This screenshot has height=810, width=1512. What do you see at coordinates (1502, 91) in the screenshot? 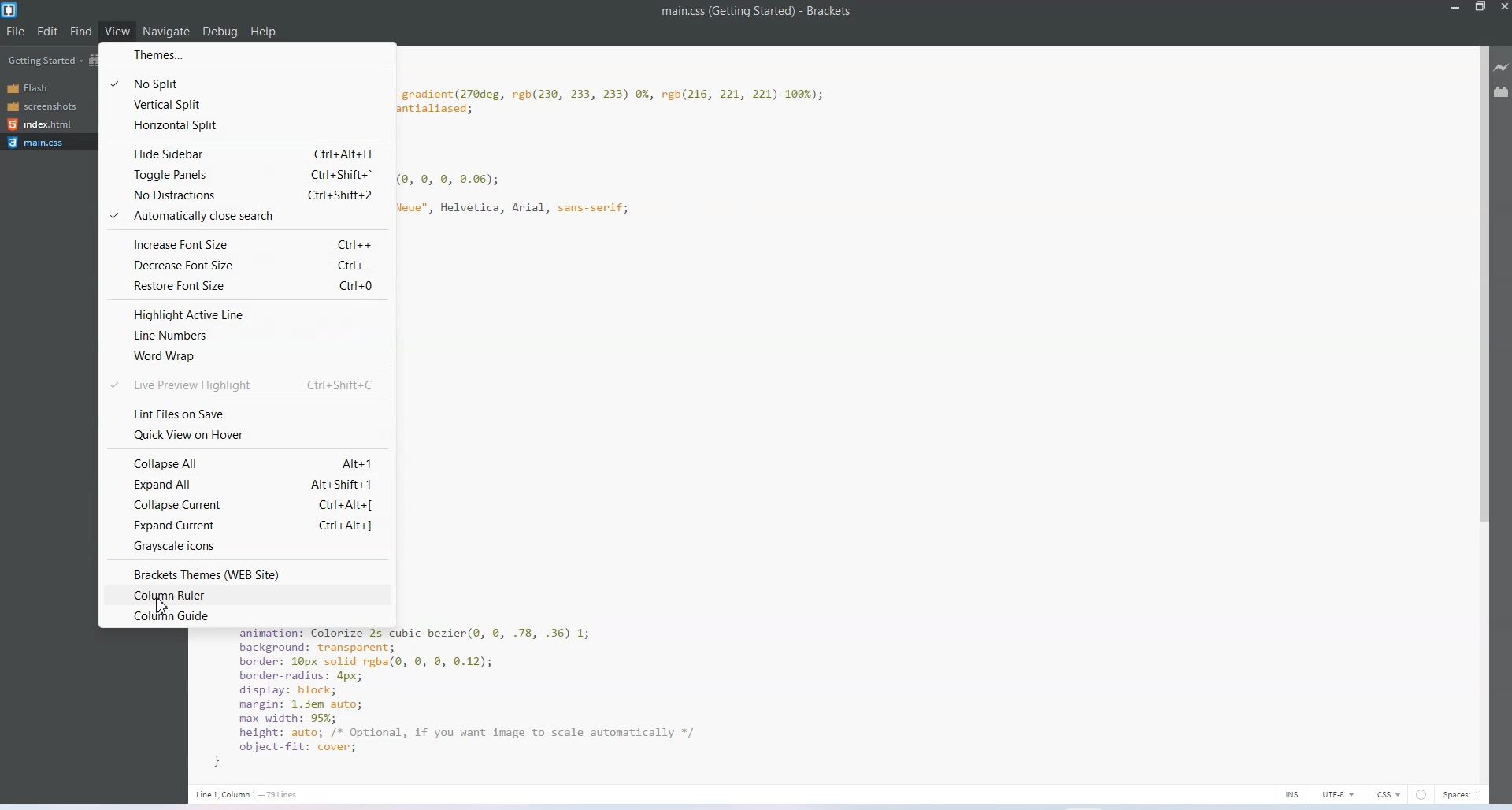
I see `Extension manager` at bounding box center [1502, 91].